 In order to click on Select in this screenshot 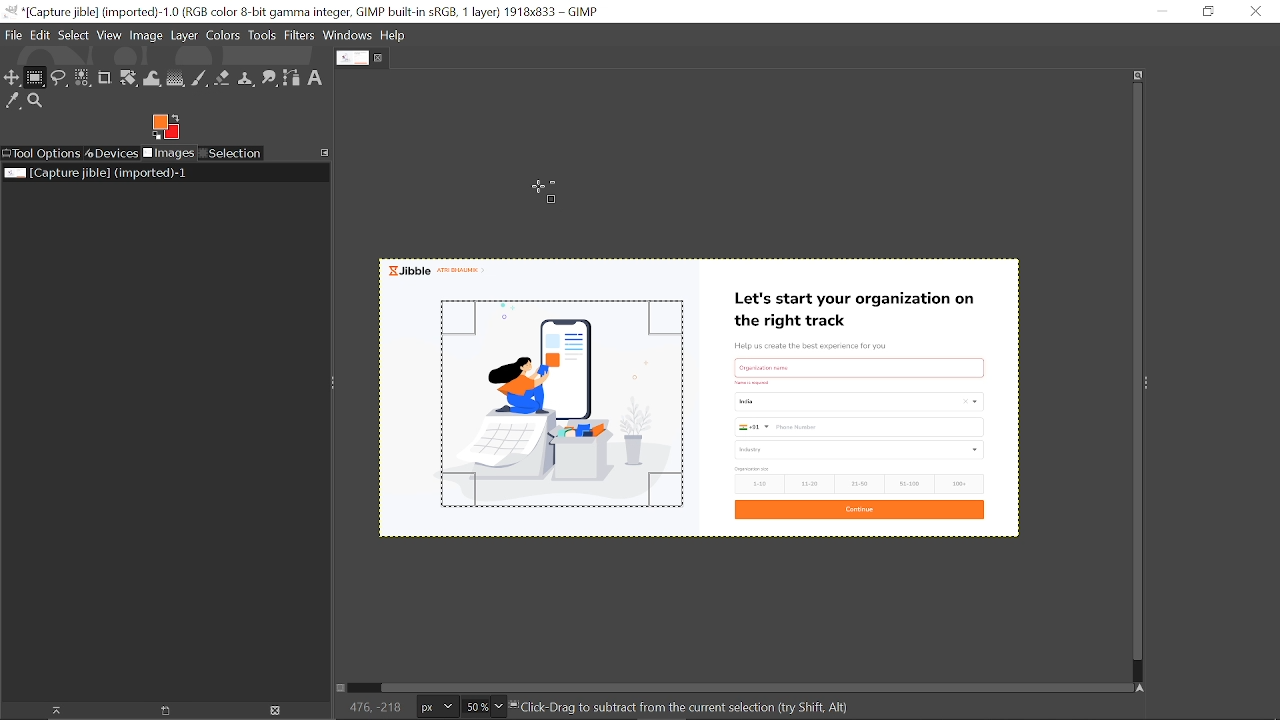, I will do `click(74, 35)`.